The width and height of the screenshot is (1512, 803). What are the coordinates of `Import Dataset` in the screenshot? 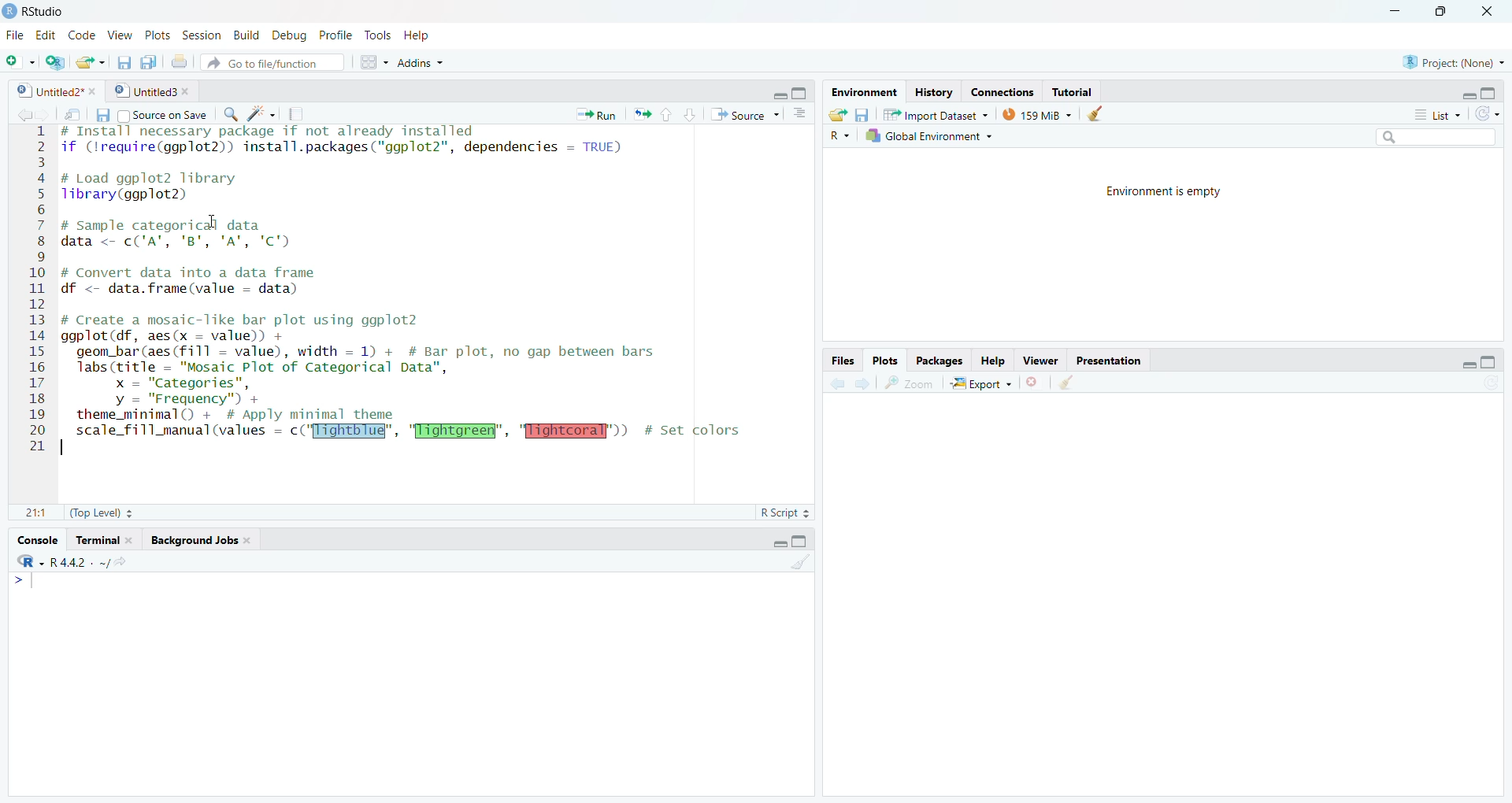 It's located at (936, 115).